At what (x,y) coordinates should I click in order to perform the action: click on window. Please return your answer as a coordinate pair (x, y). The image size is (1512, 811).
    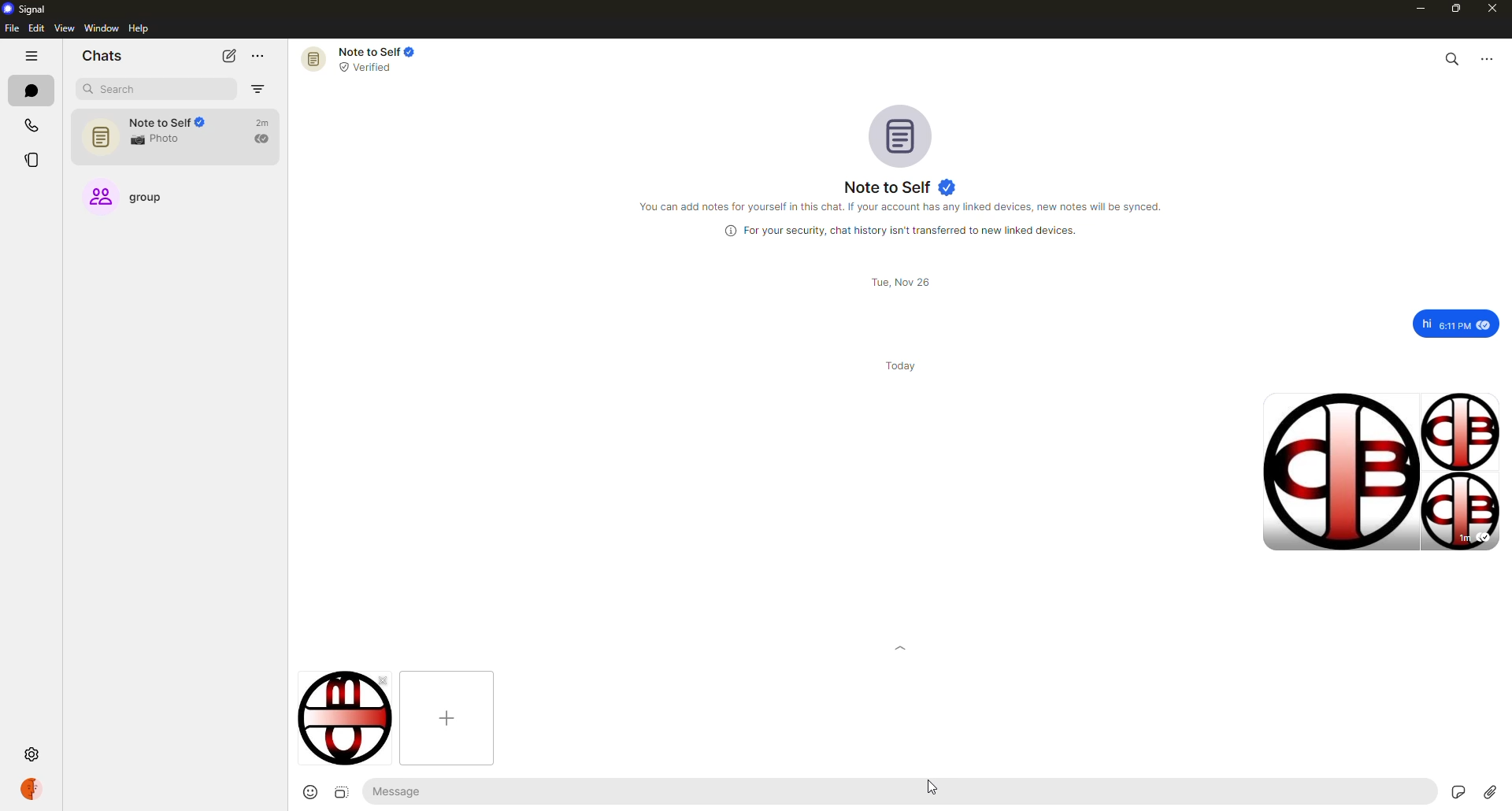
    Looking at the image, I should click on (102, 29).